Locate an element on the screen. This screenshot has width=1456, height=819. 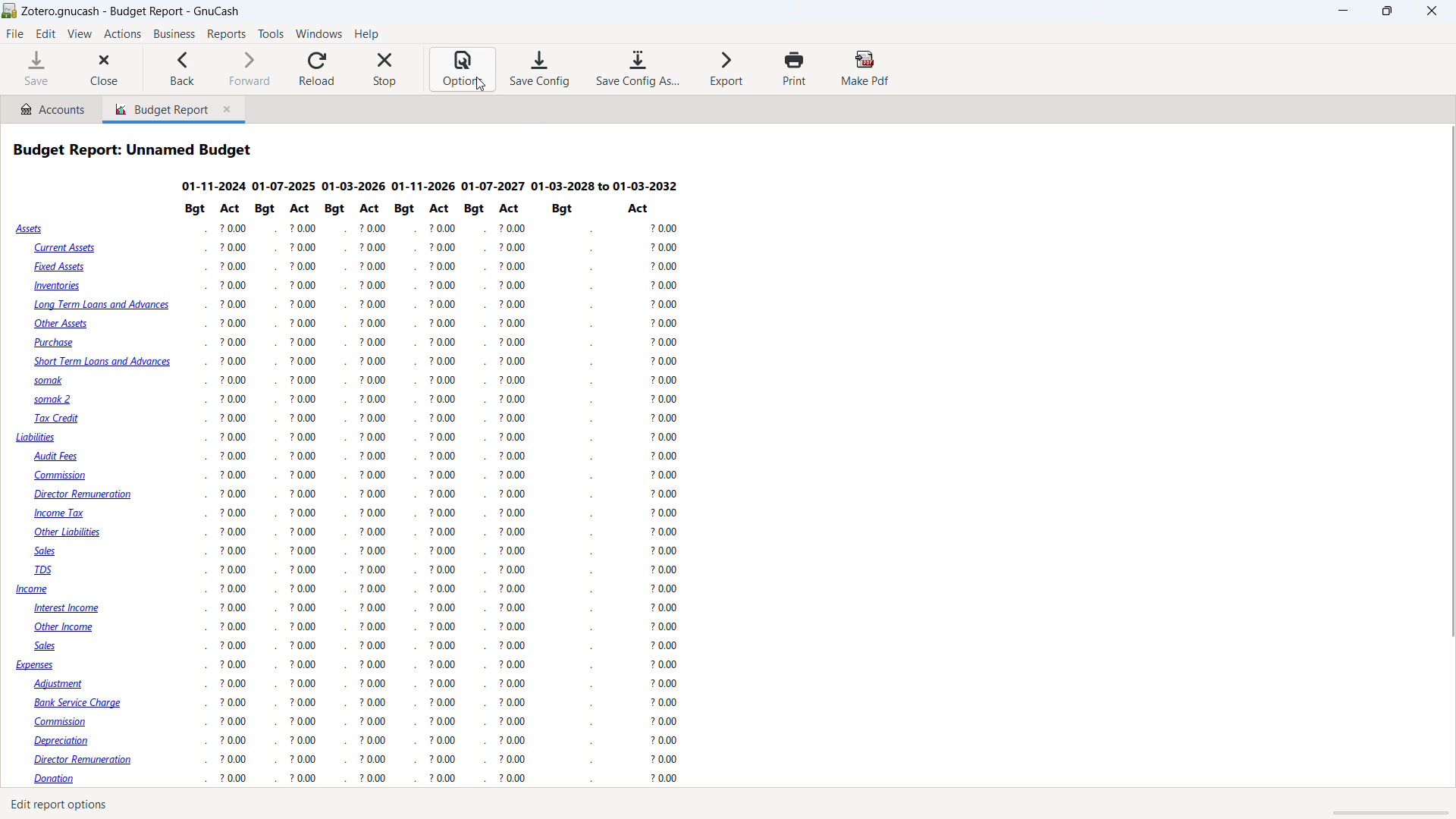
somak is located at coordinates (45, 380).